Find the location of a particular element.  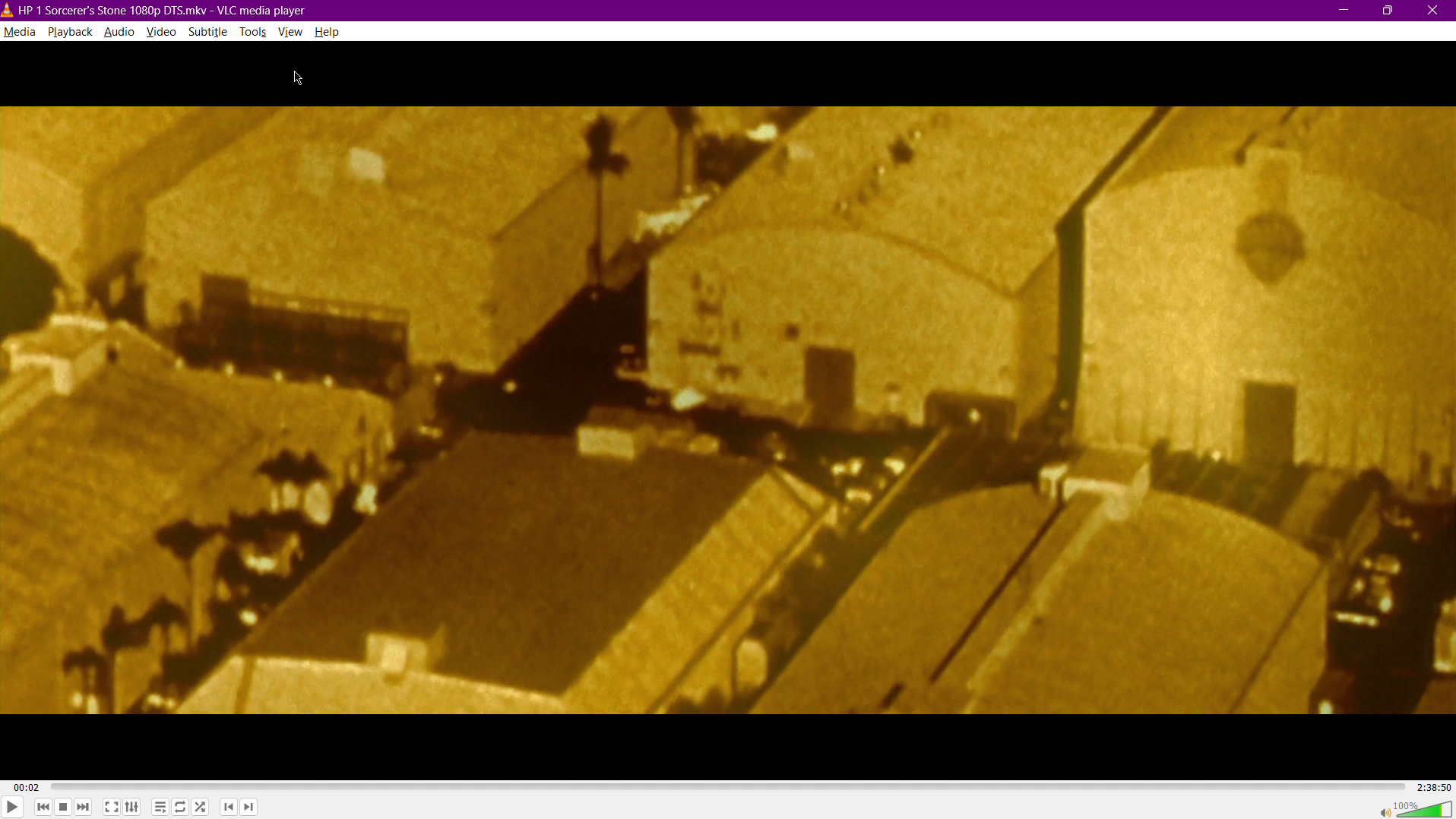

Help is located at coordinates (328, 32).